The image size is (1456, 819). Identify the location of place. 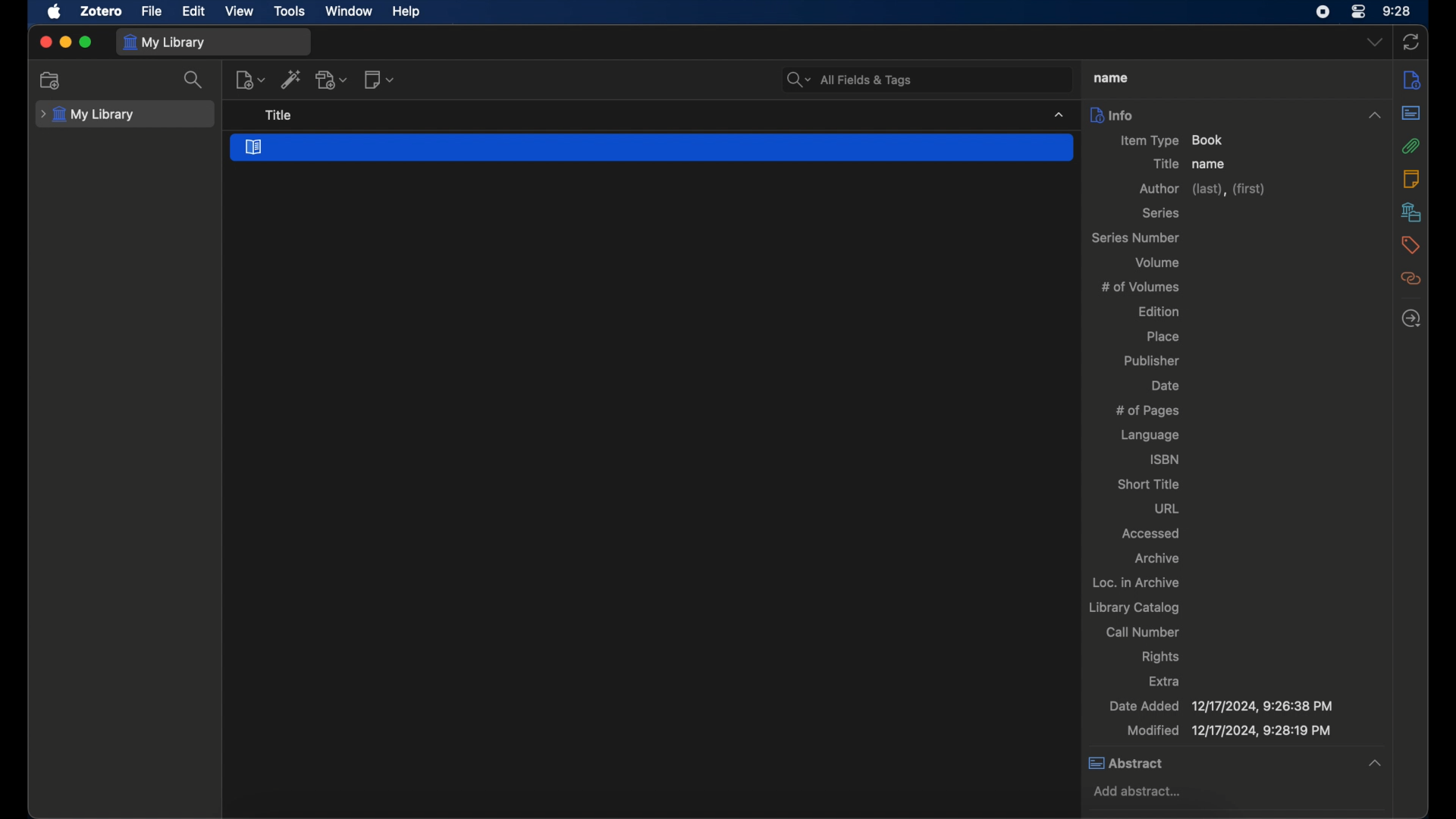
(1164, 337).